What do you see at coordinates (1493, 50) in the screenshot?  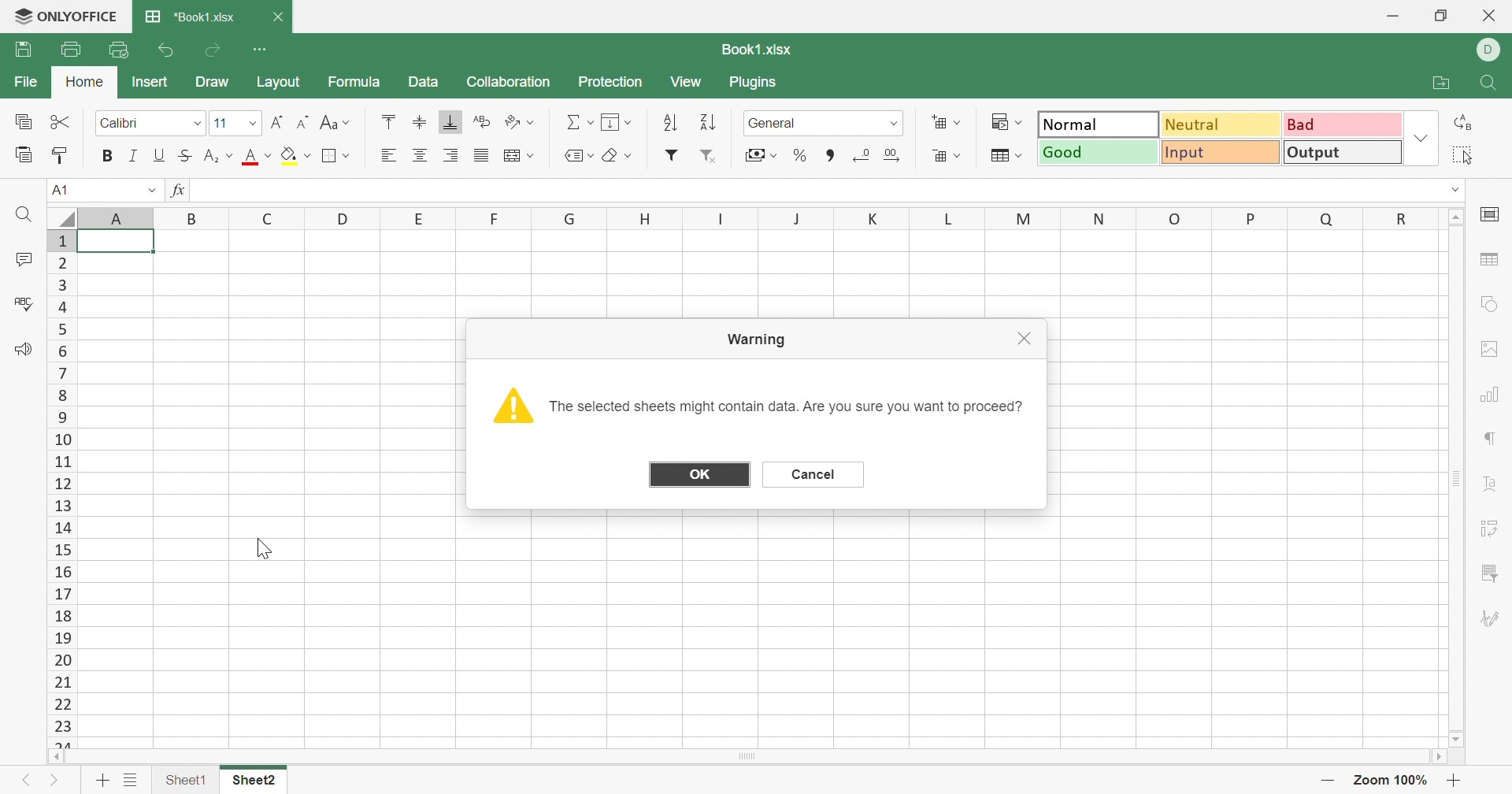 I see `D` at bounding box center [1493, 50].